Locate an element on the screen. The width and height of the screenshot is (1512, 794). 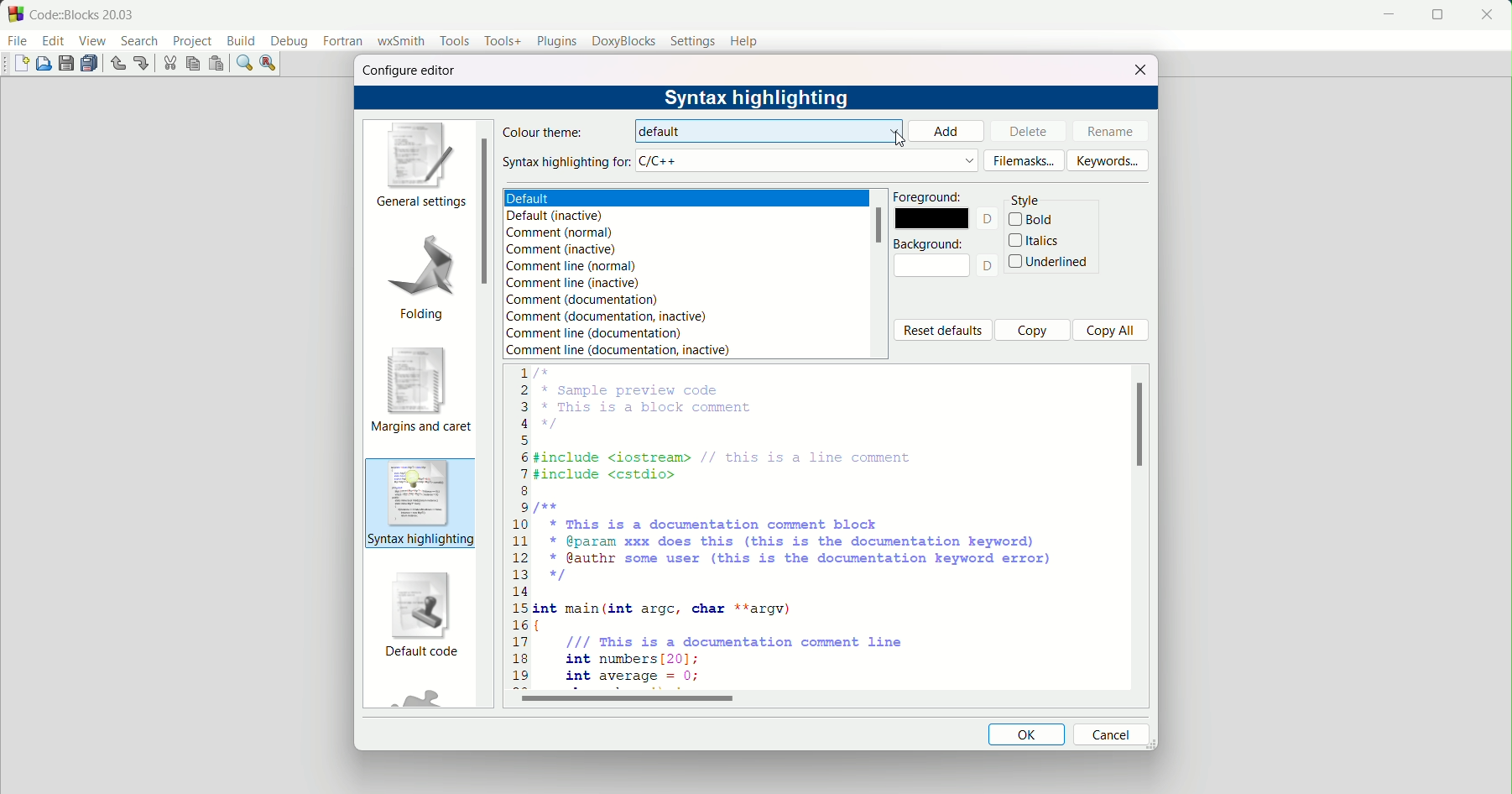
close is located at coordinates (1487, 15).